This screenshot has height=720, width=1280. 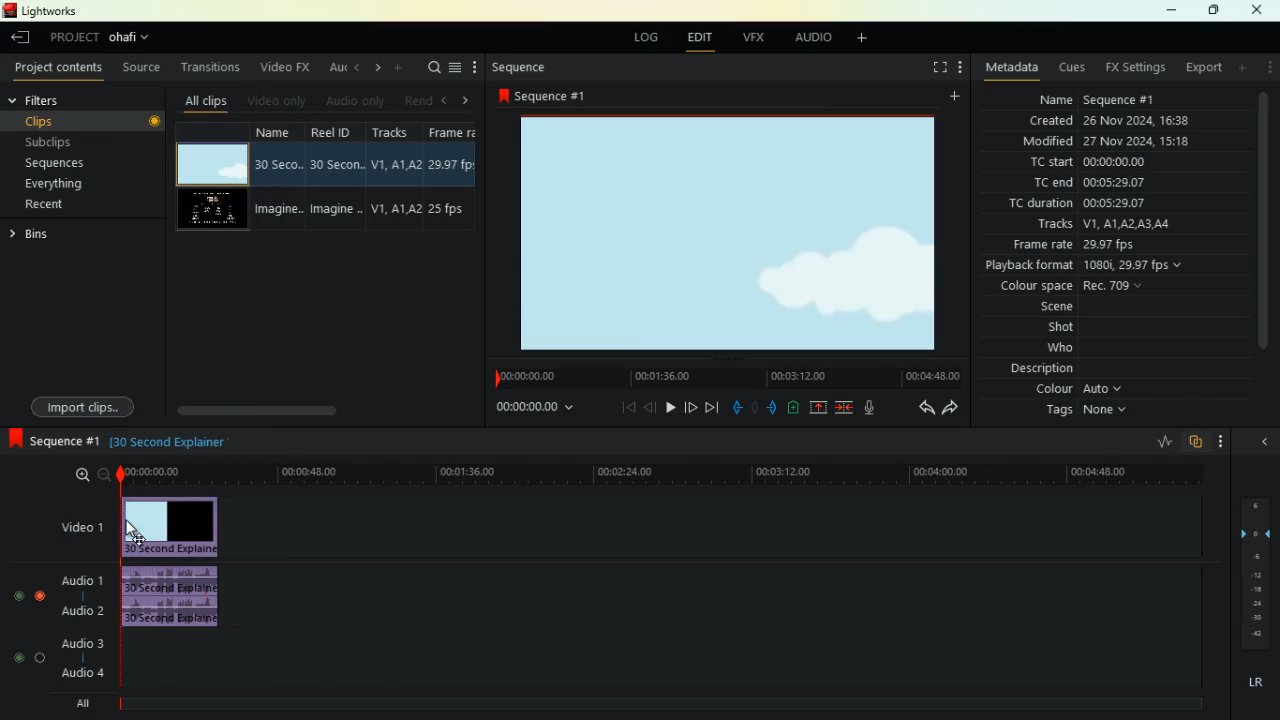 What do you see at coordinates (416, 100) in the screenshot?
I see `rend` at bounding box center [416, 100].